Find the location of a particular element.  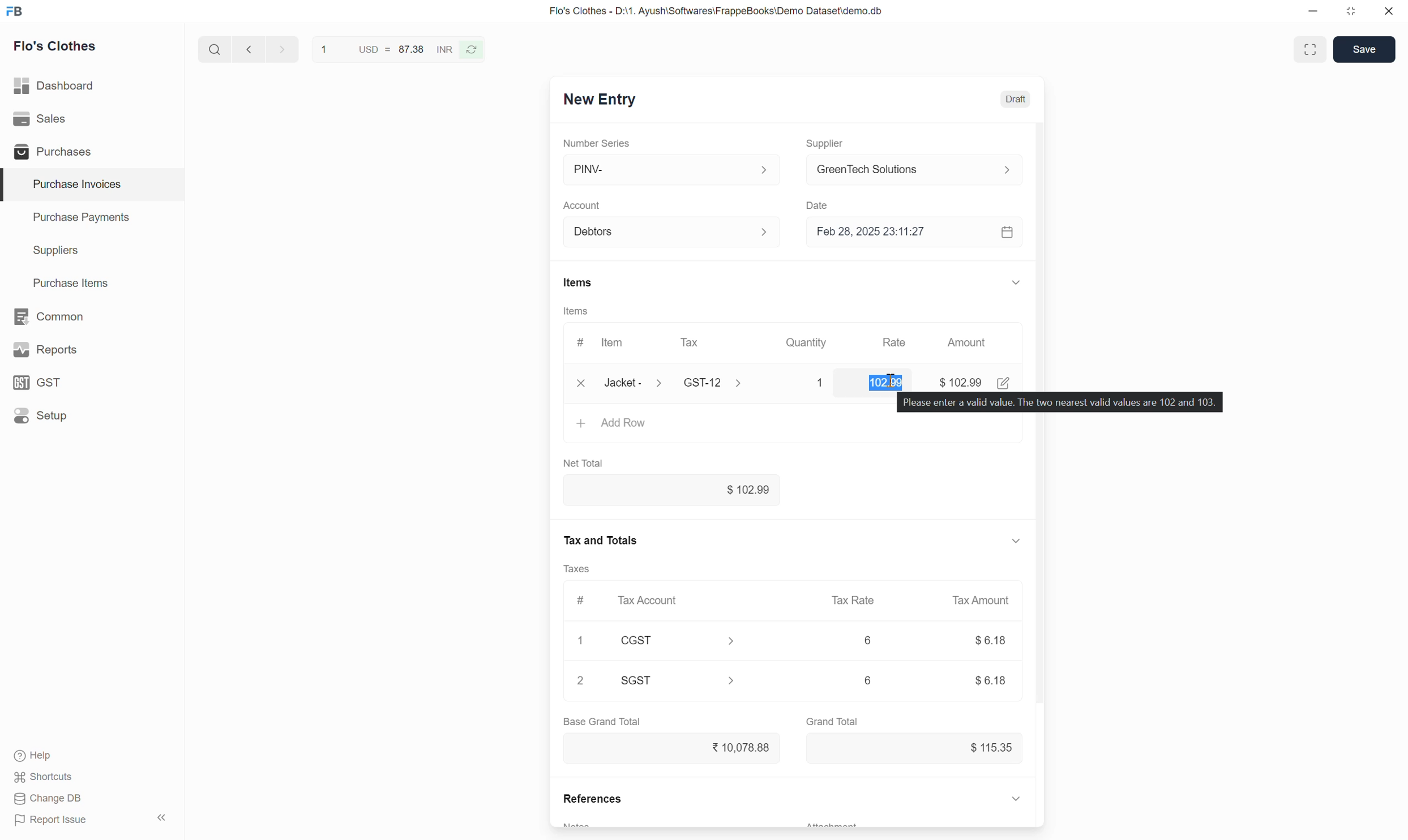

Jacket - is located at coordinates (636, 383).